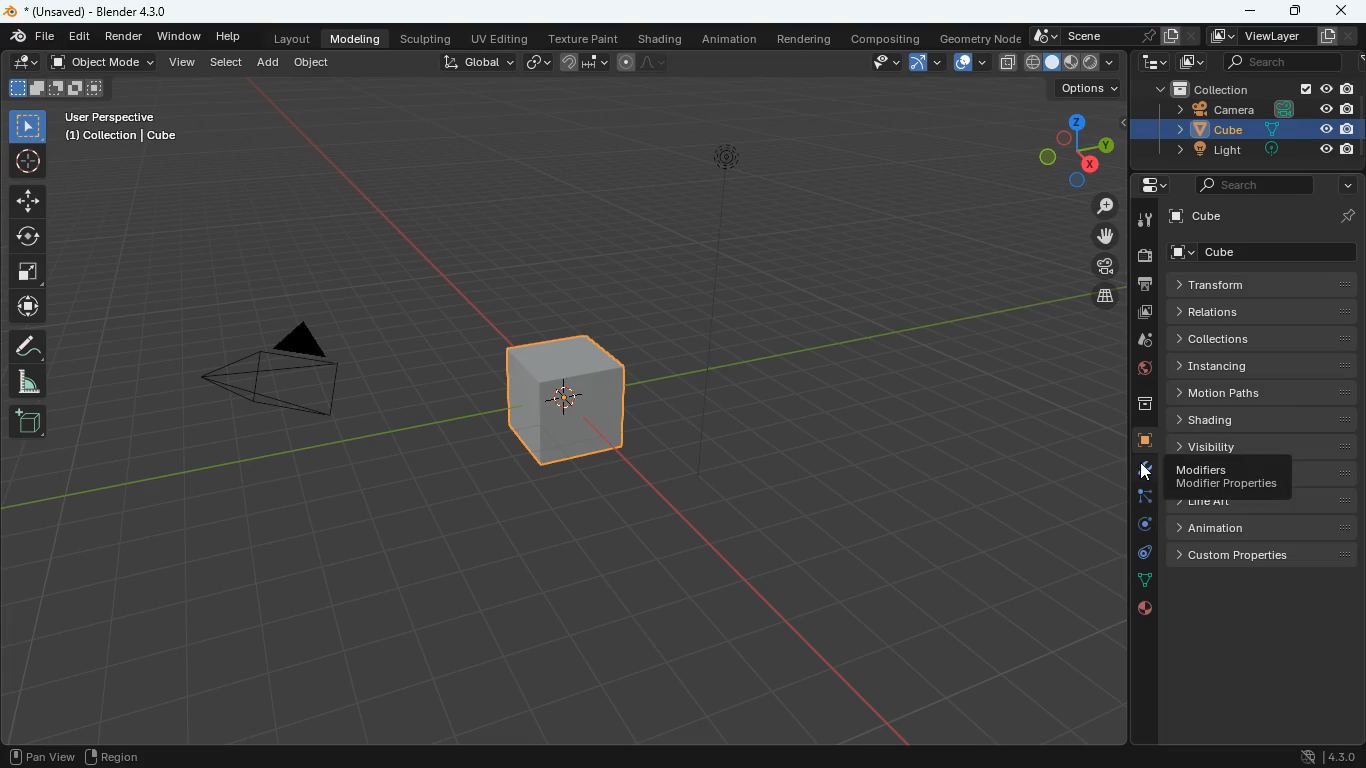 The height and width of the screenshot is (768, 1366). What do you see at coordinates (1088, 89) in the screenshot?
I see `options` at bounding box center [1088, 89].